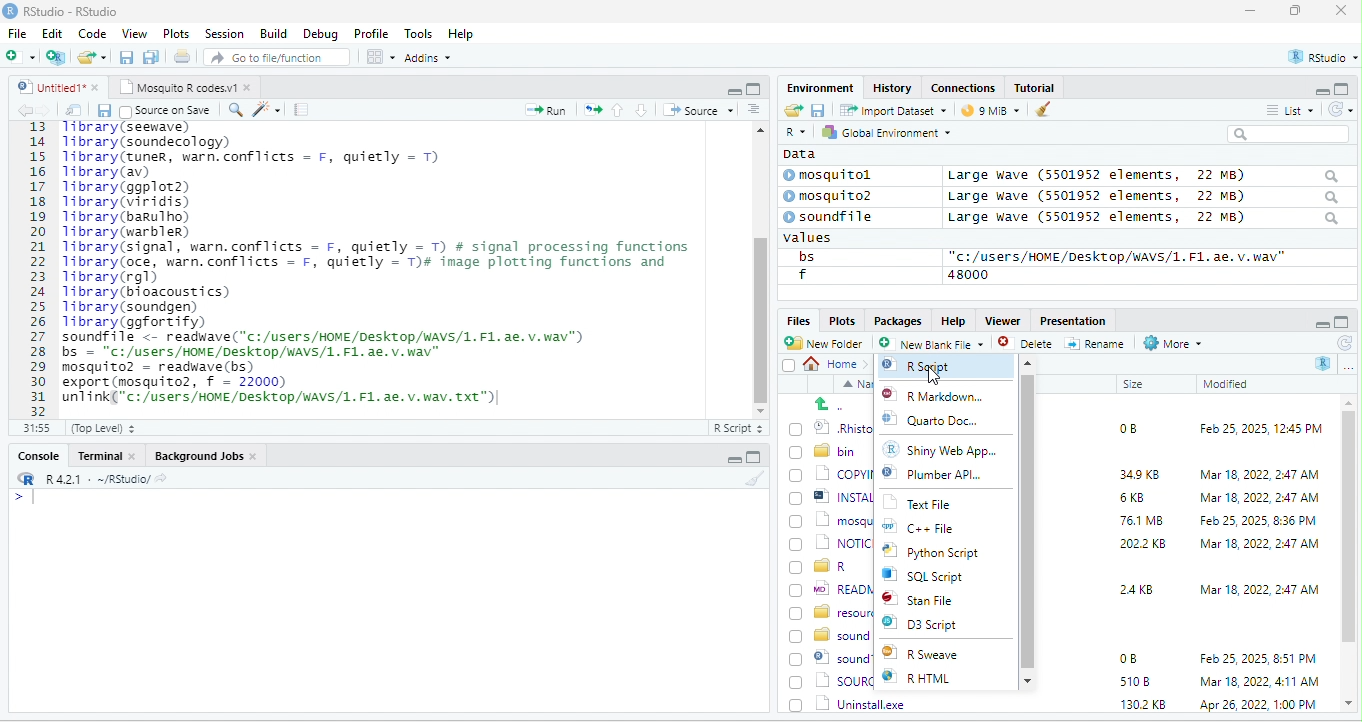 The image size is (1362, 722). What do you see at coordinates (969, 274) in the screenshot?
I see `48000` at bounding box center [969, 274].